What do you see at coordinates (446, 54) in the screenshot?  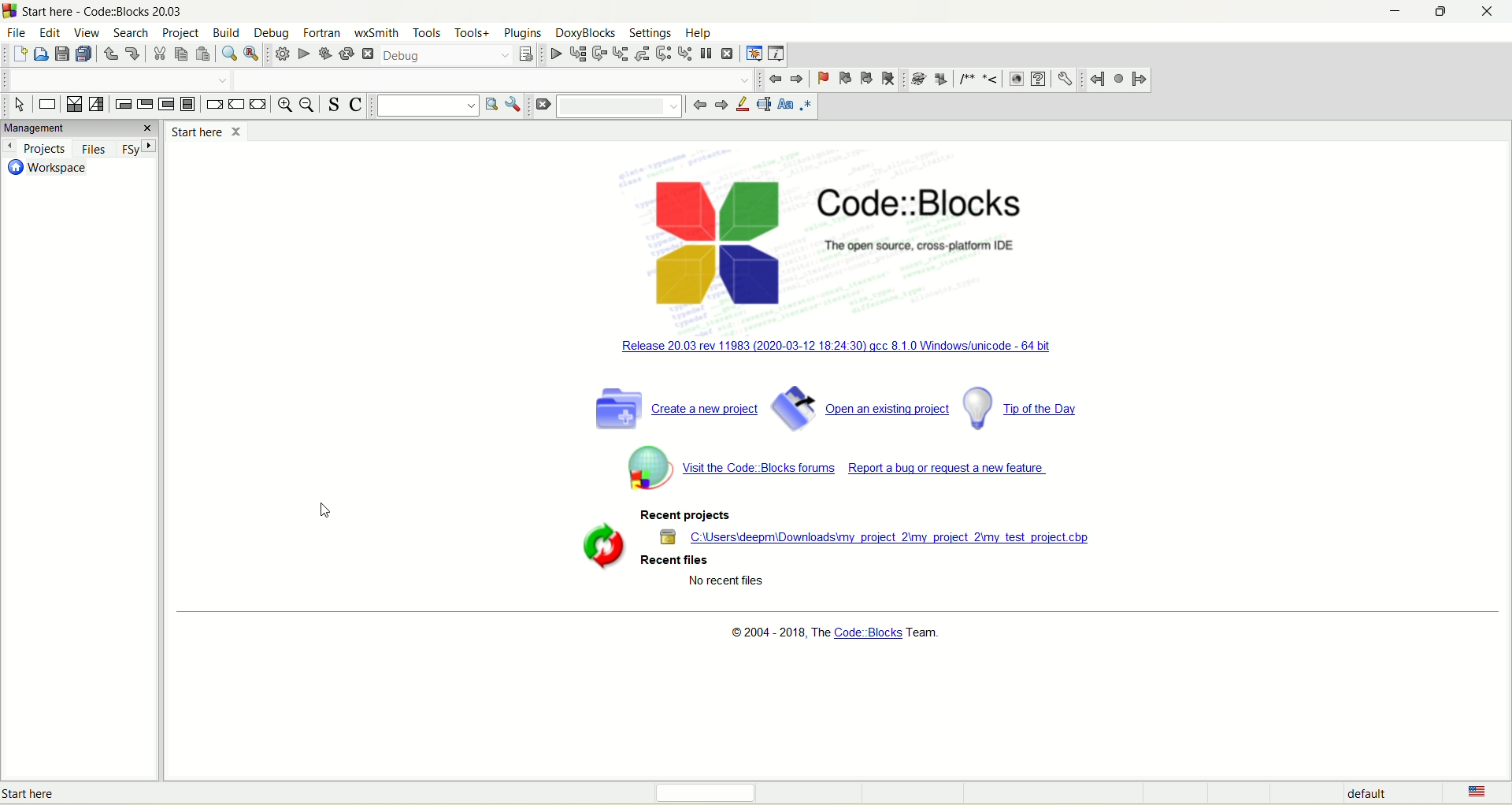 I see `debug` at bounding box center [446, 54].